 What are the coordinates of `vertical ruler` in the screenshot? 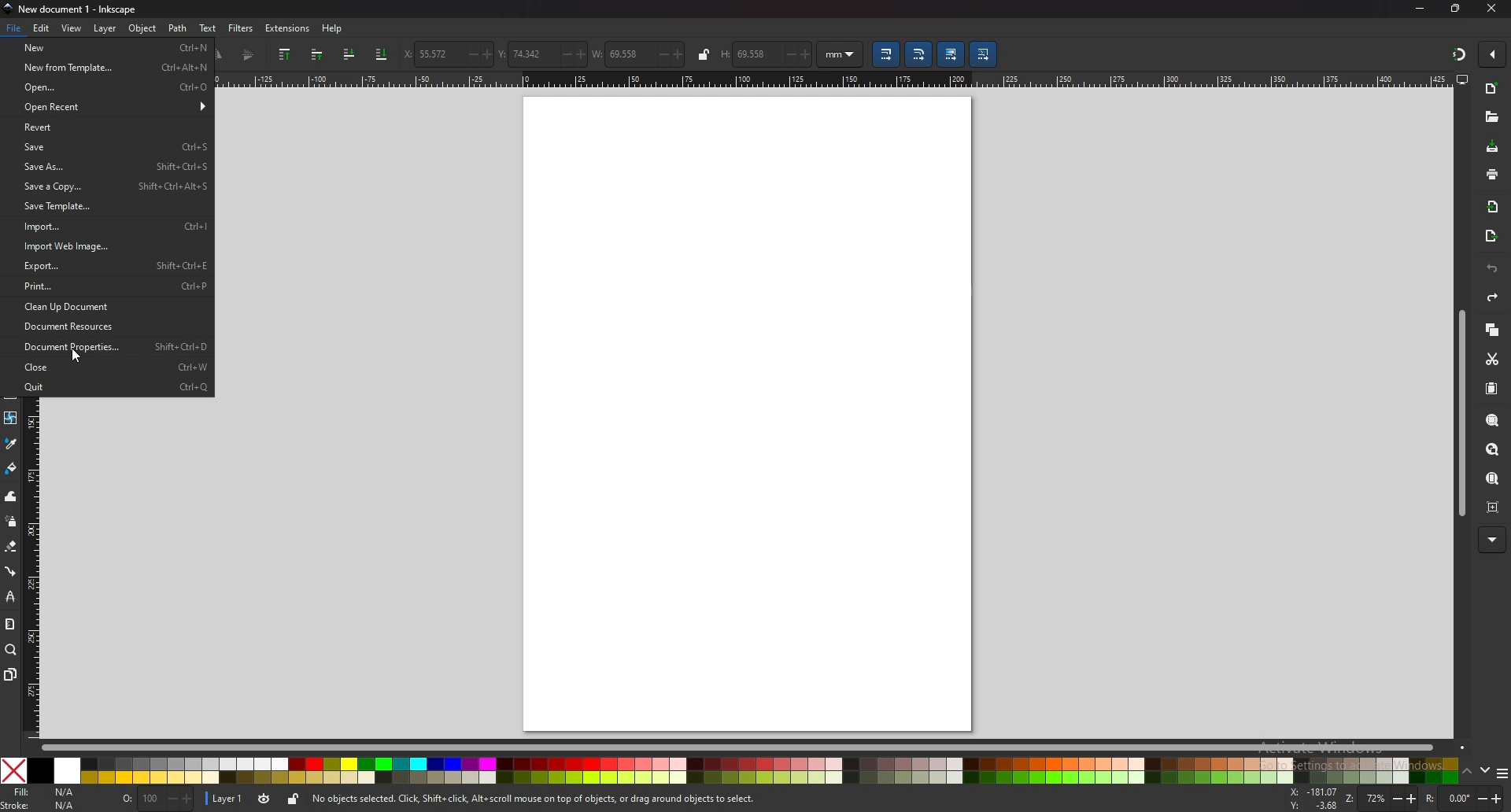 It's located at (31, 567).